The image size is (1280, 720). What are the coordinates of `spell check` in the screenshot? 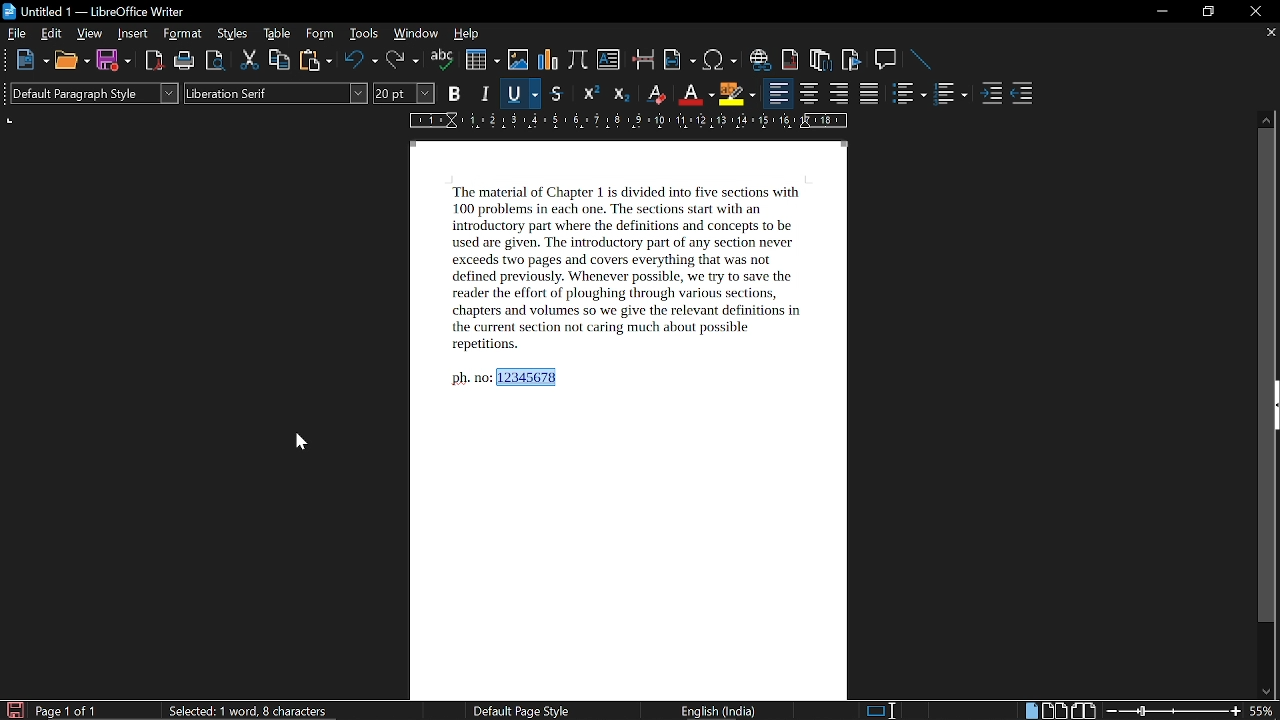 It's located at (443, 61).